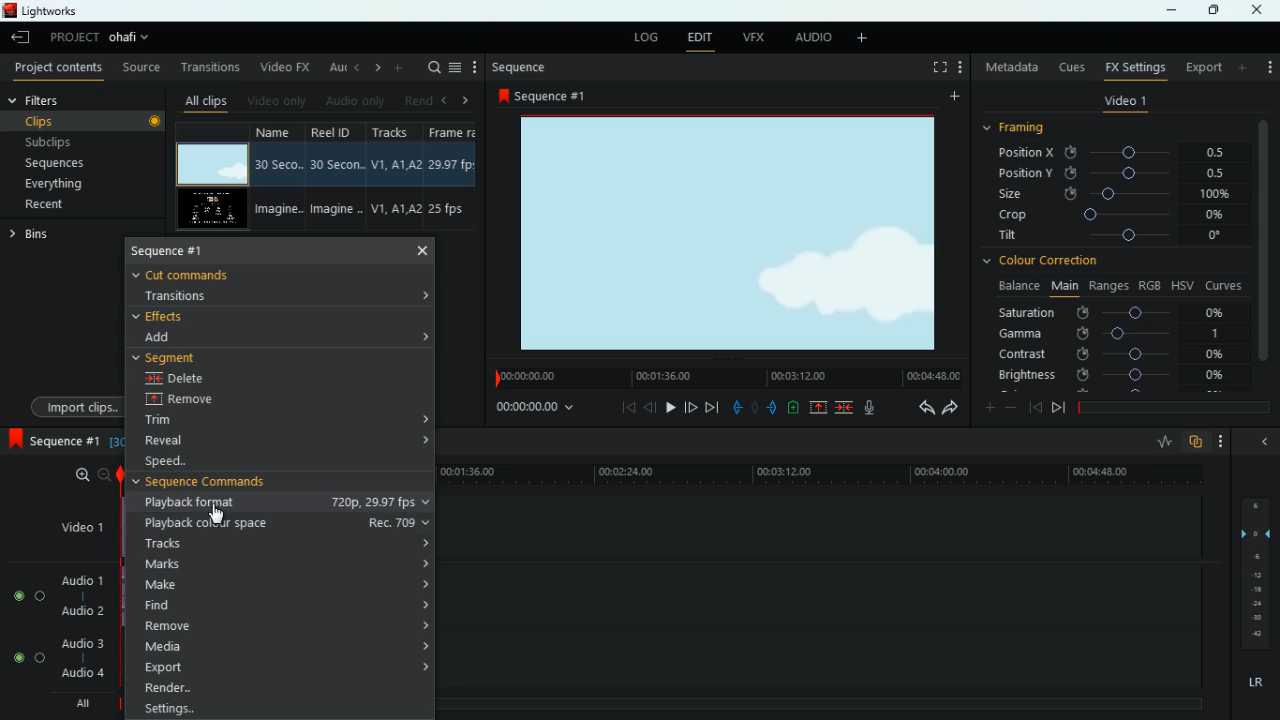 This screenshot has height=720, width=1280. I want to click on remove, so click(289, 625).